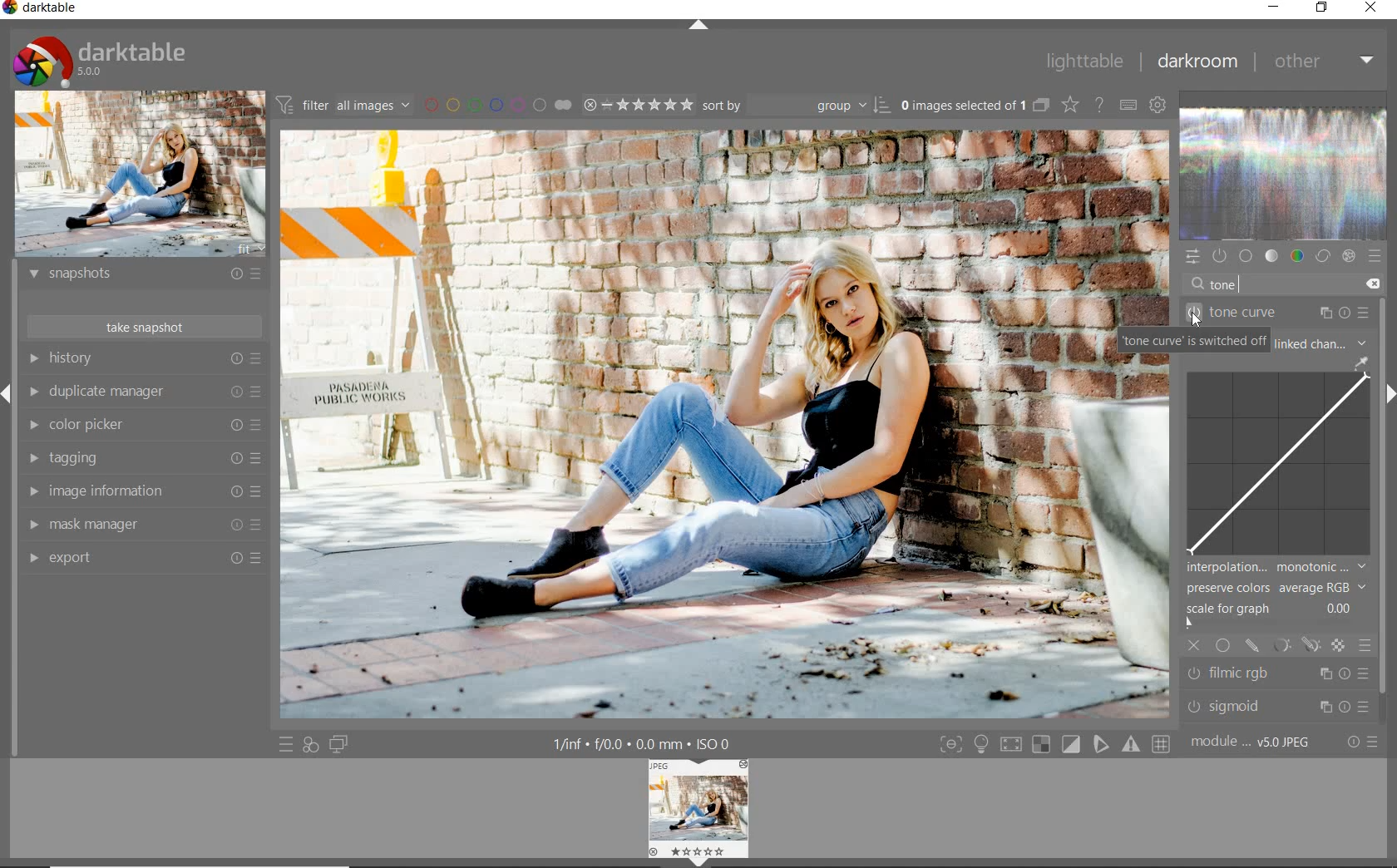 The image size is (1397, 868). I want to click on scrollbar, so click(1387, 498).